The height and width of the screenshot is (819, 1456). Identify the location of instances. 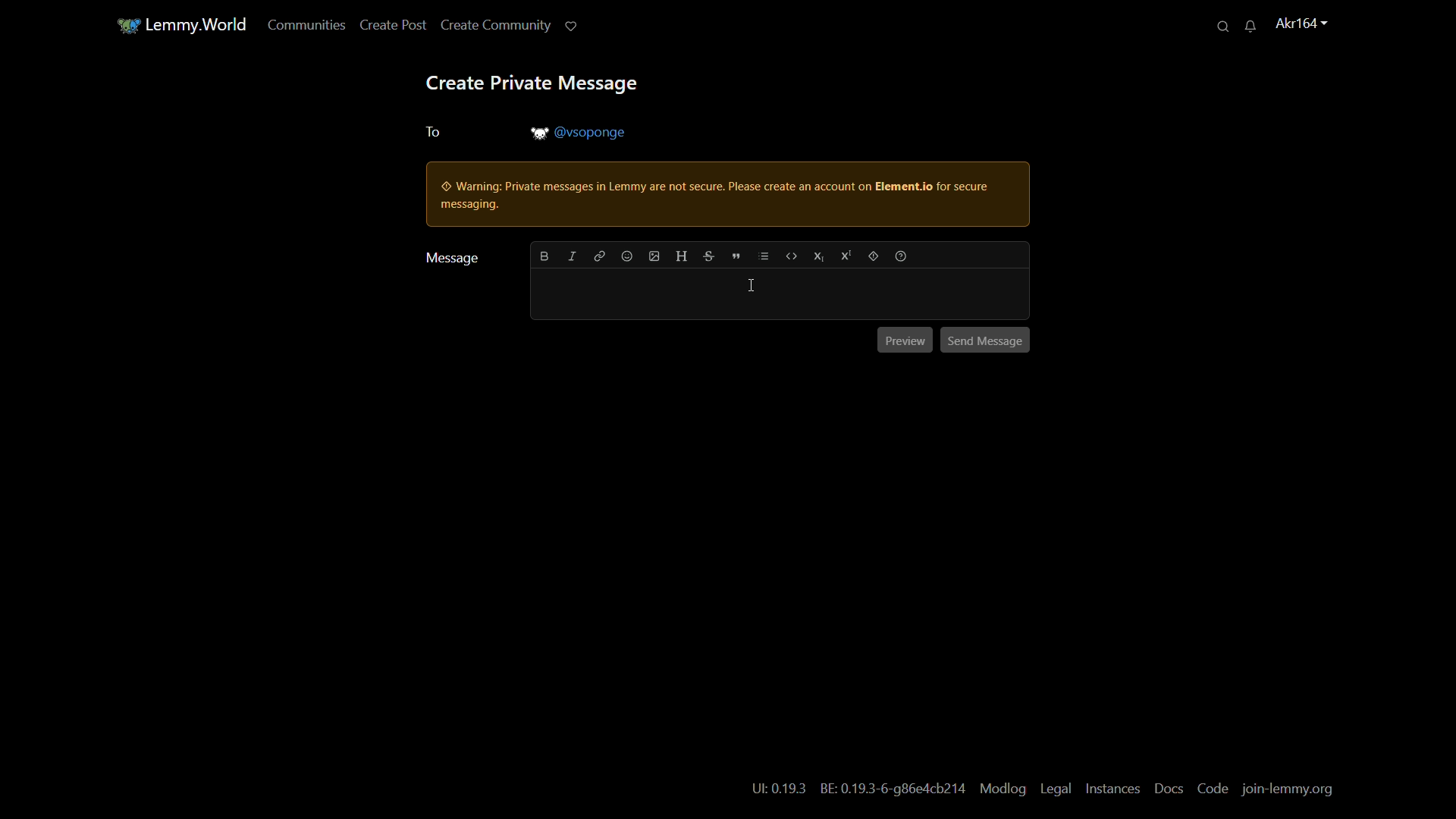
(1112, 789).